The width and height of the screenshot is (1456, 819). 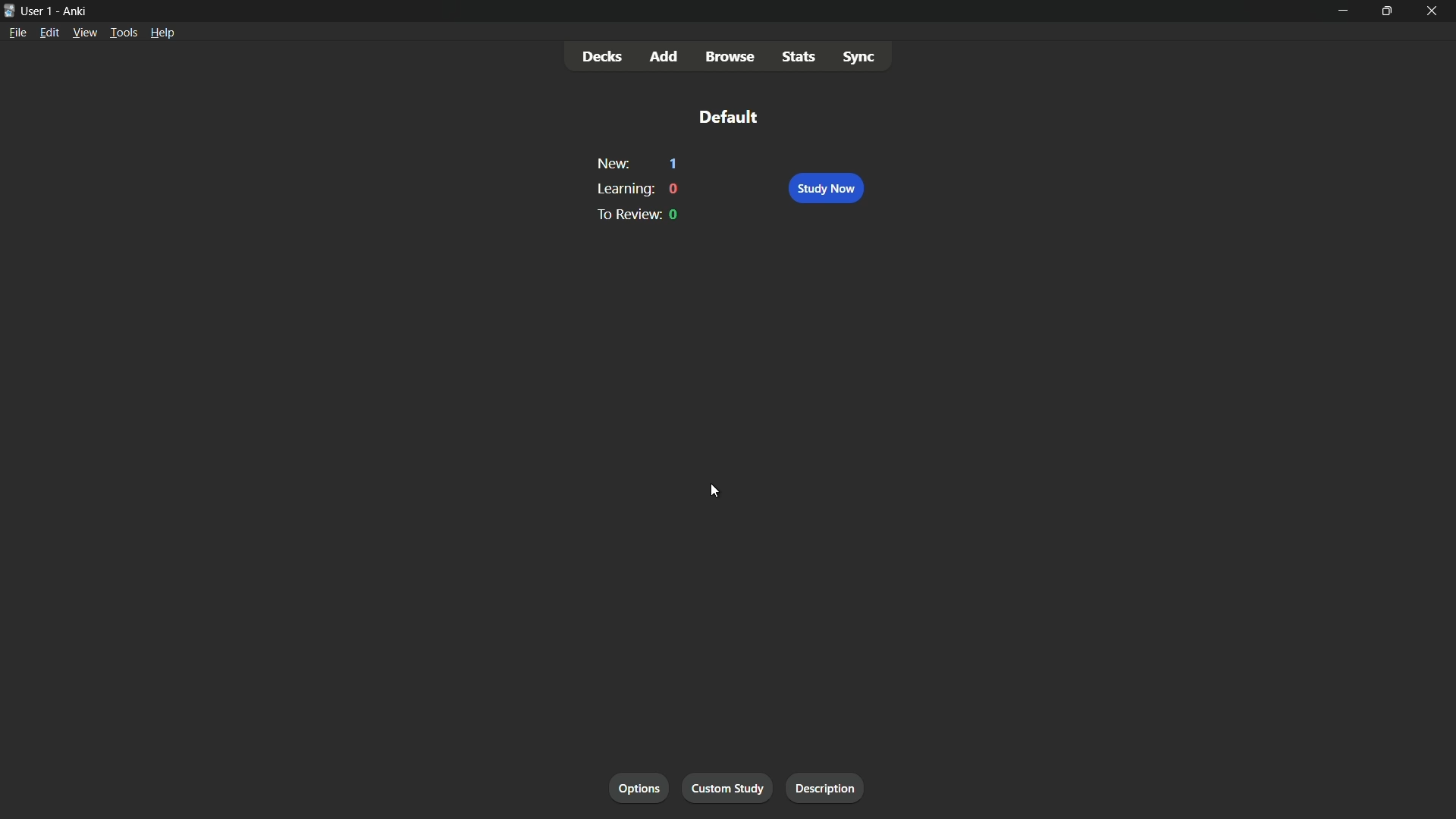 I want to click on default, so click(x=725, y=116).